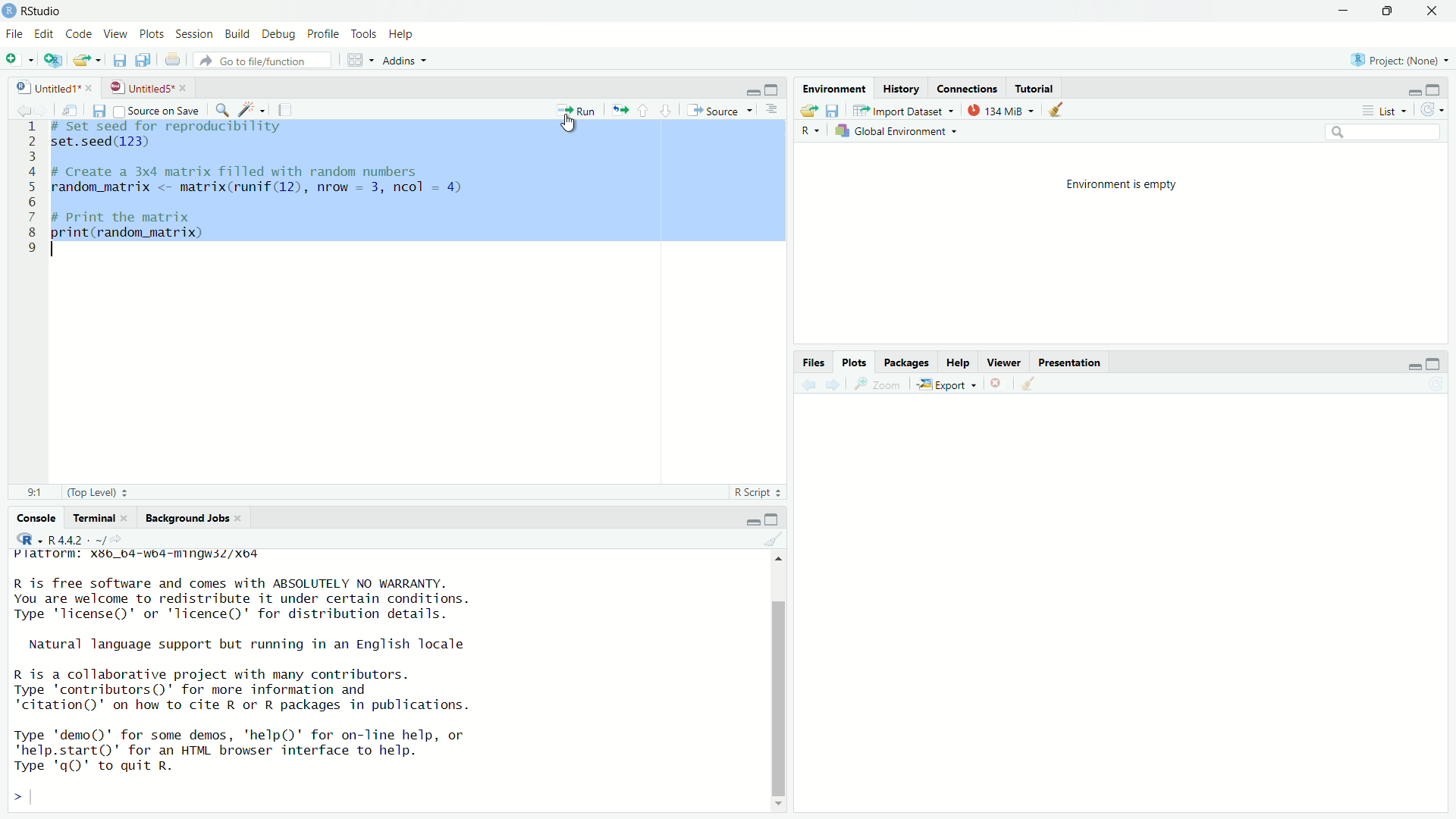 Image resolution: width=1456 pixels, height=819 pixels. I want to click on 1 # Set seed for reproducibility

2 set.seed(123)

3

4 # Create a 3x4 matrix filled with random numbers

5 random_matrix <- matrix(runif(12), nrow = 3, ncol = 4)
6

7 # Print the matrix

8 print(random_matrix) 1

9, so click(273, 190).